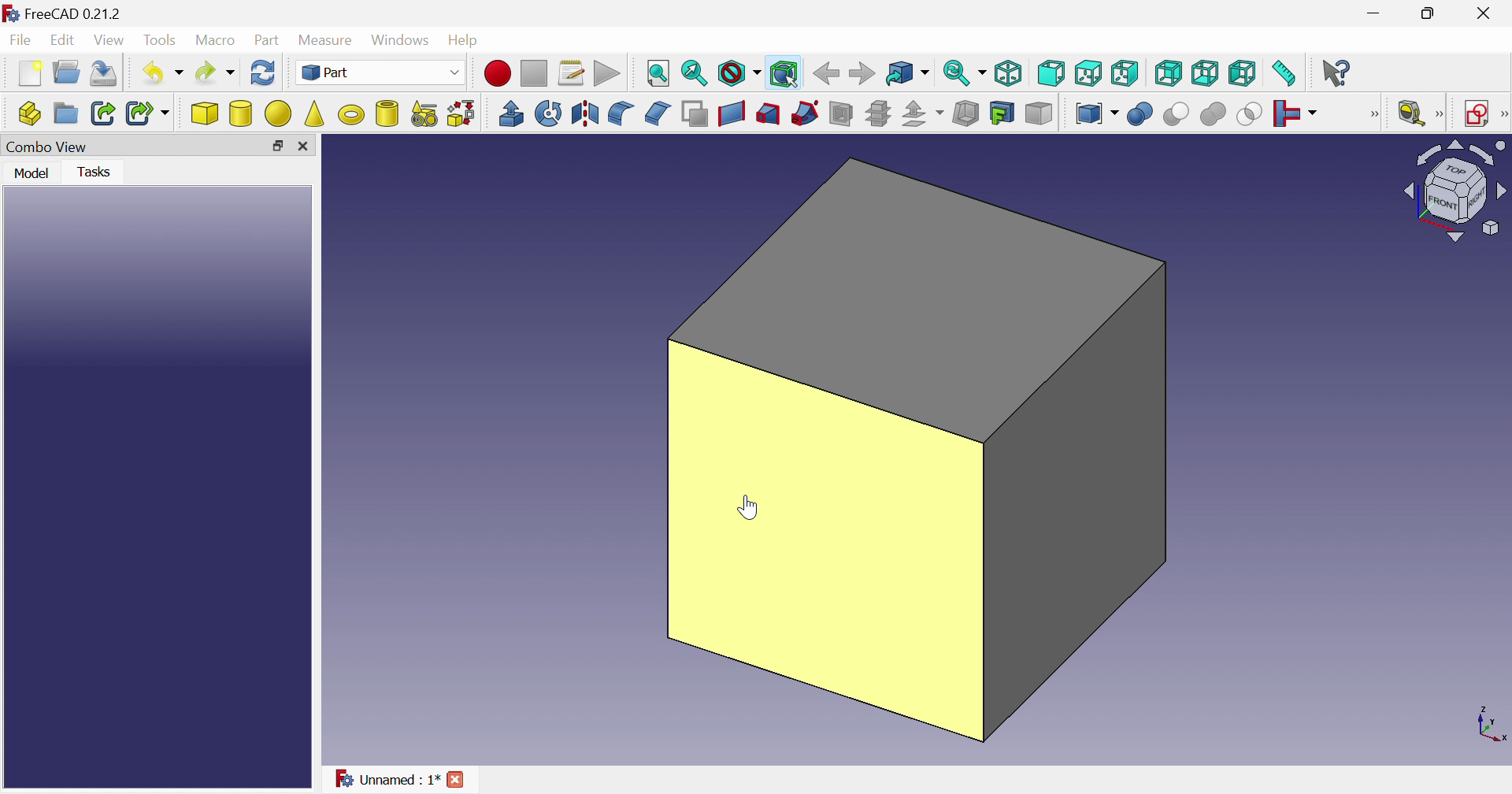  Describe the element at coordinates (1052, 73) in the screenshot. I see `Front` at that location.